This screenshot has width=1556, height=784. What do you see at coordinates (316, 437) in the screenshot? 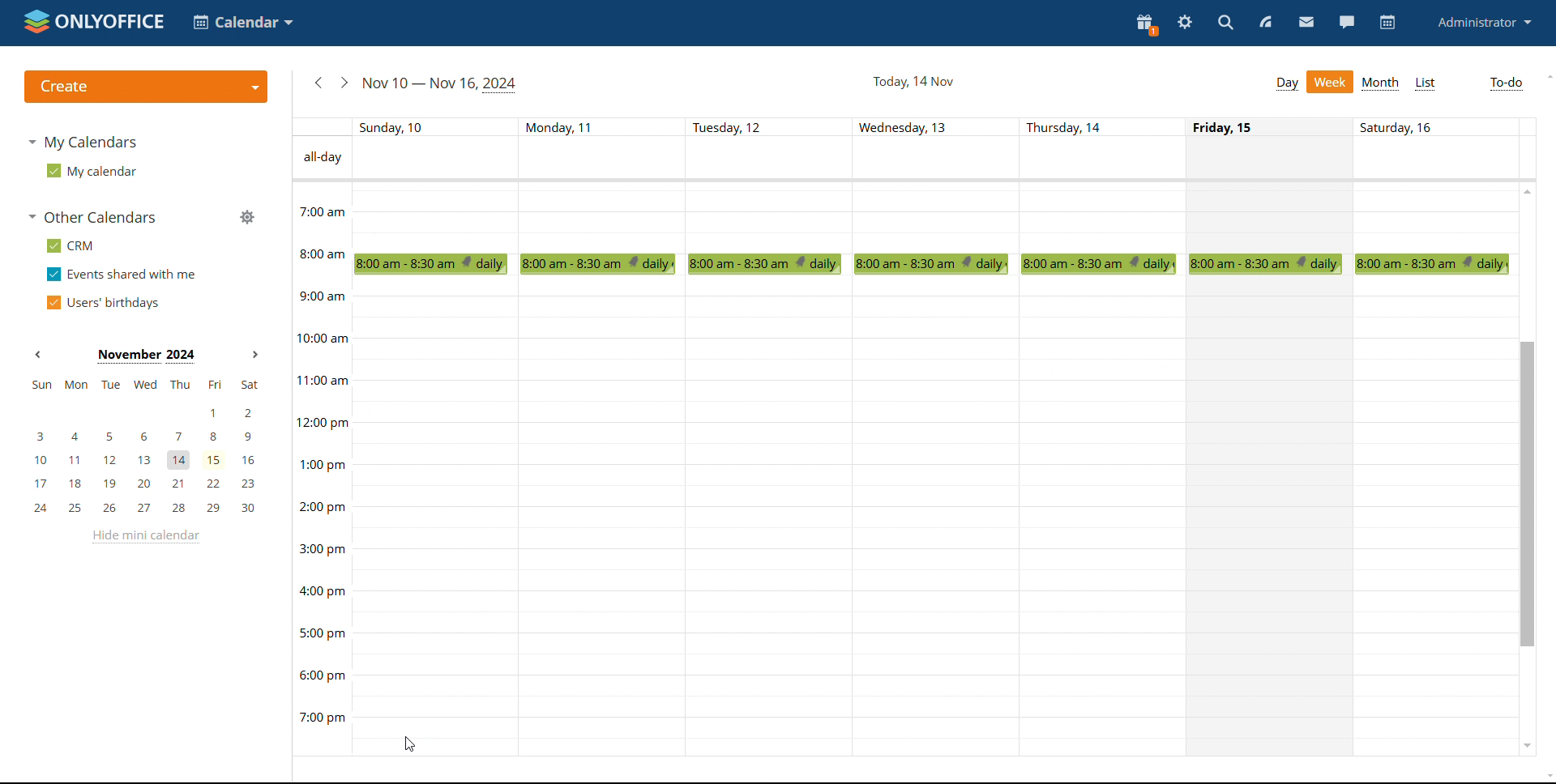
I see `time of the day` at bounding box center [316, 437].